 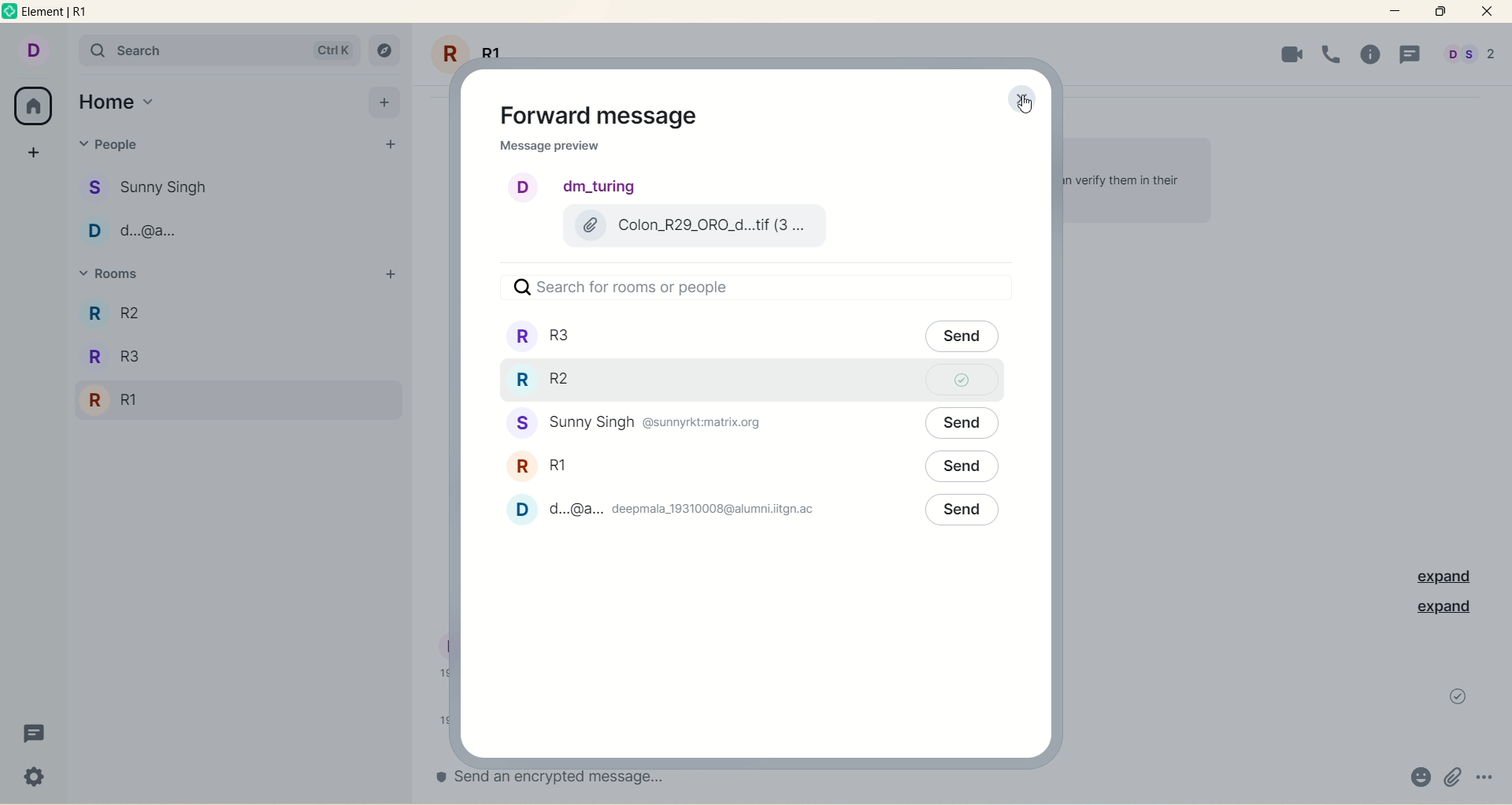 I want to click on logo, so click(x=11, y=14).